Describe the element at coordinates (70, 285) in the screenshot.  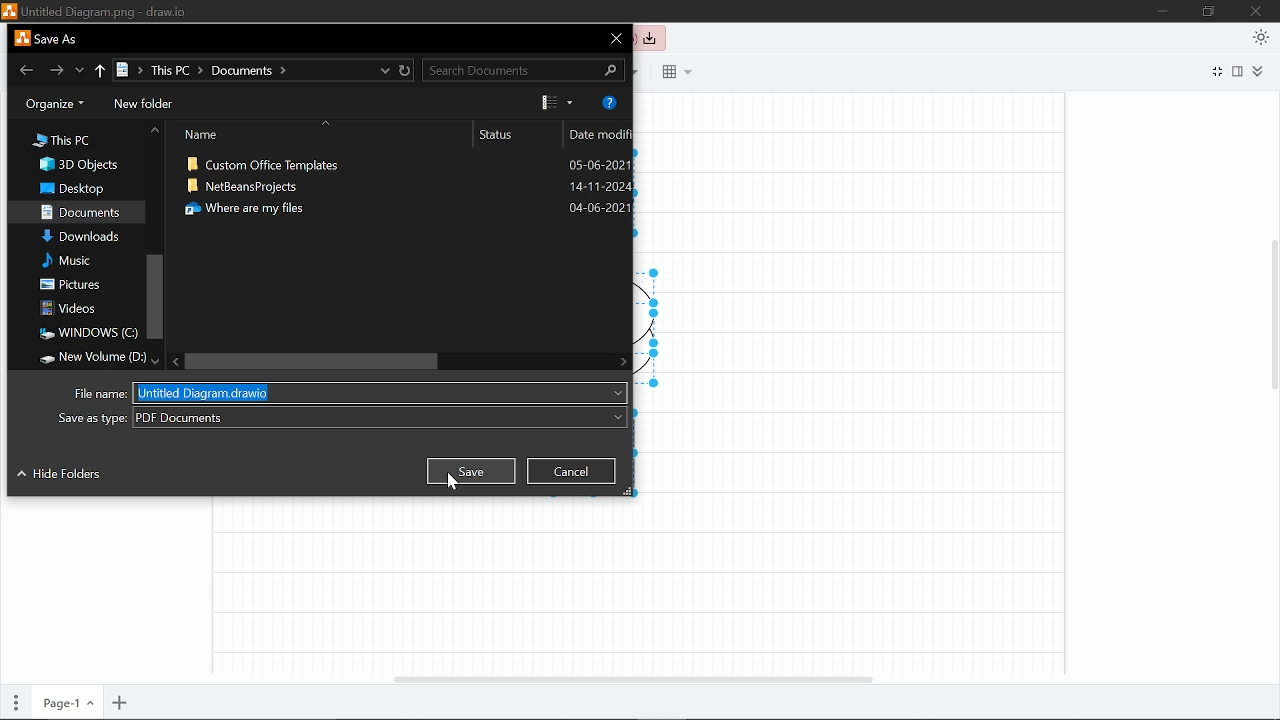
I see `Pictures` at that location.